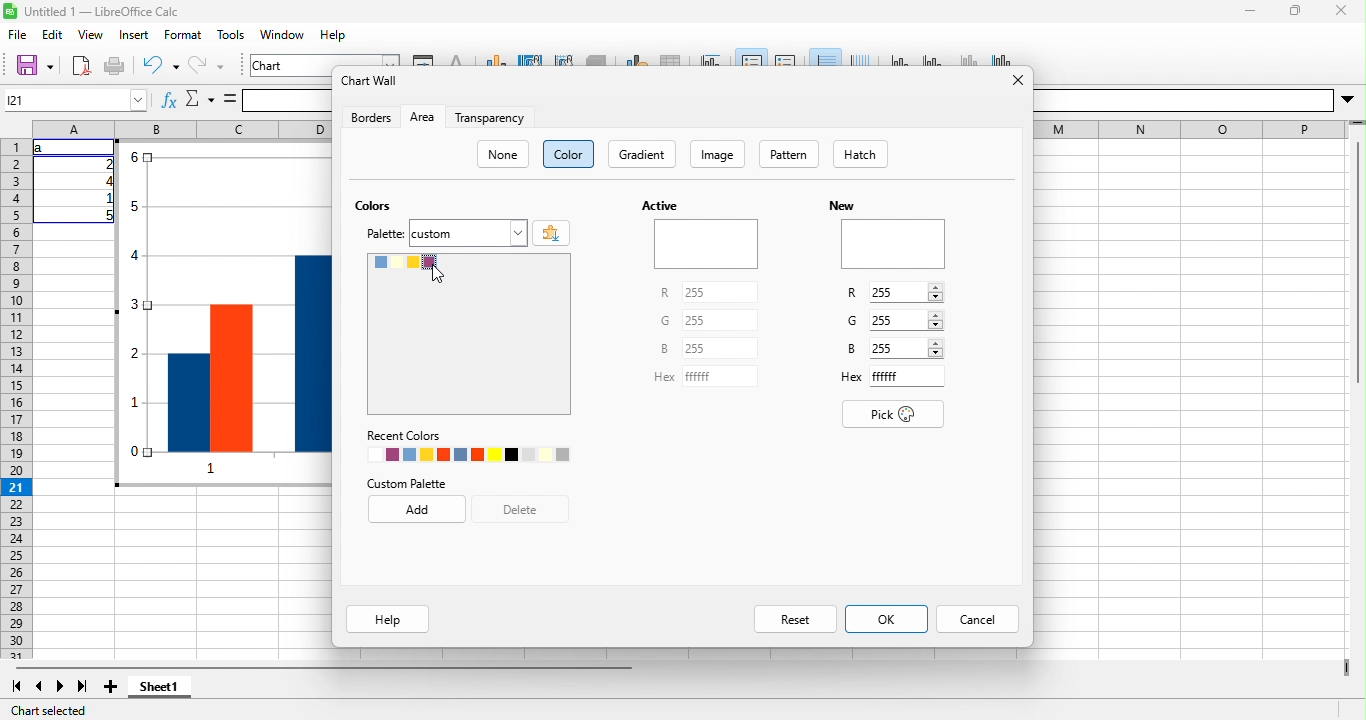 The width and height of the screenshot is (1366, 720). I want to click on close, so click(1018, 80).